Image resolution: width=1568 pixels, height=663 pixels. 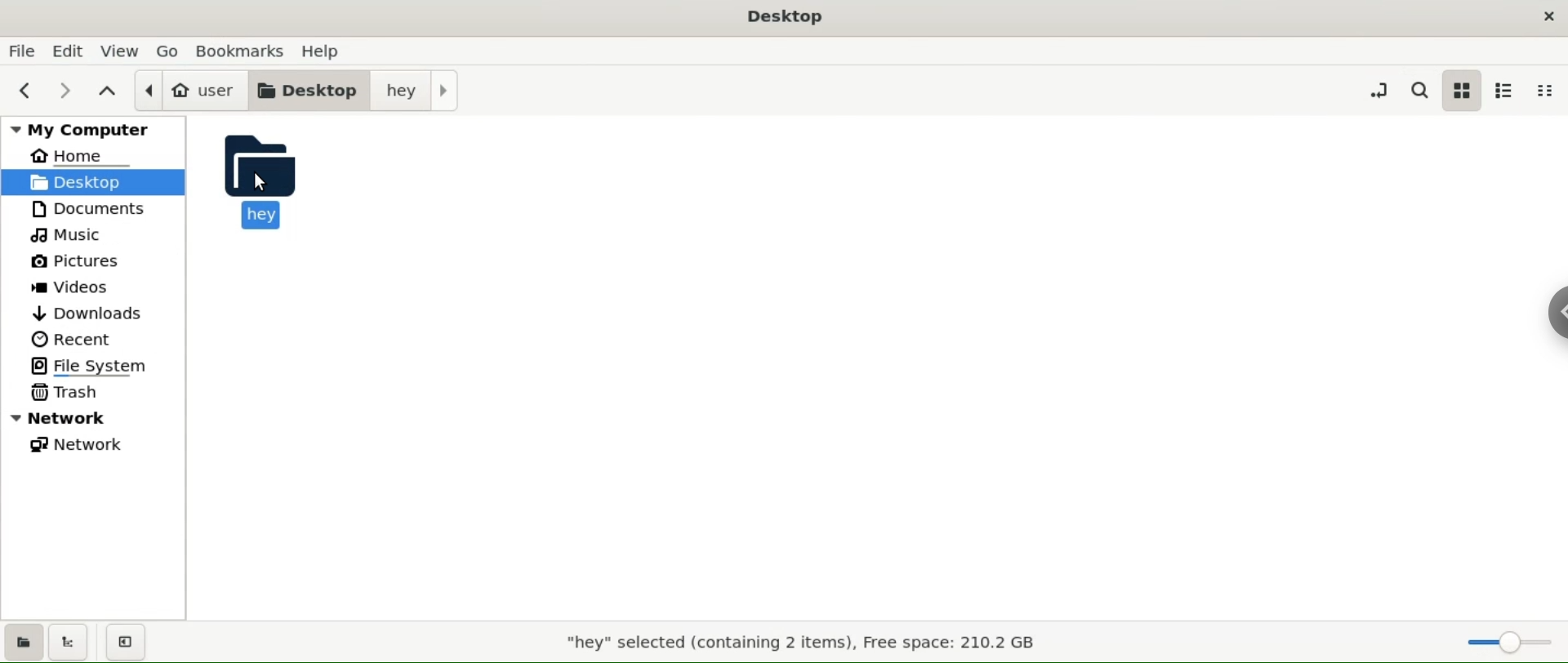 I want to click on my computer, so click(x=96, y=131).